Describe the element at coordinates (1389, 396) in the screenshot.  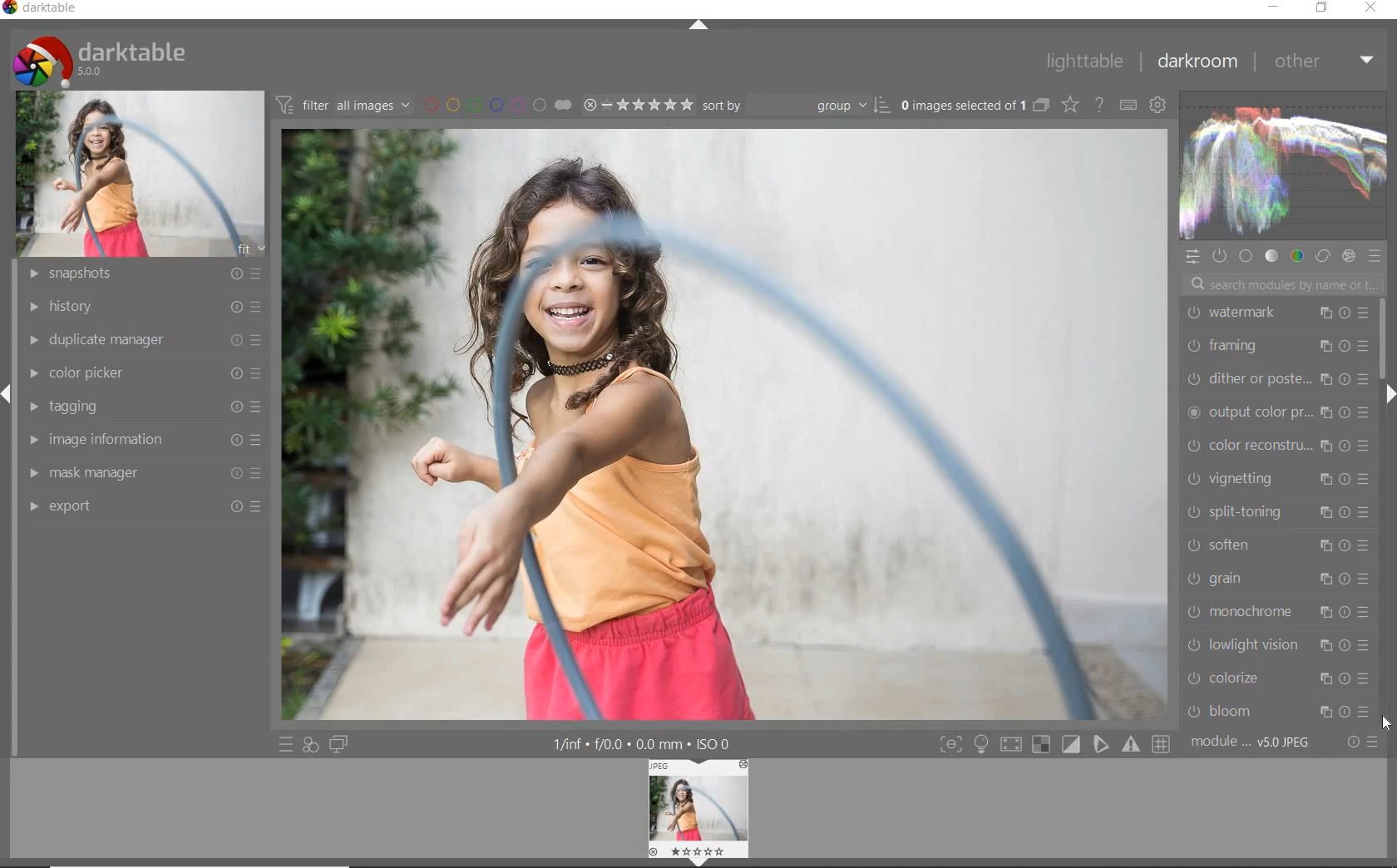
I see `expand/collapse` at that location.